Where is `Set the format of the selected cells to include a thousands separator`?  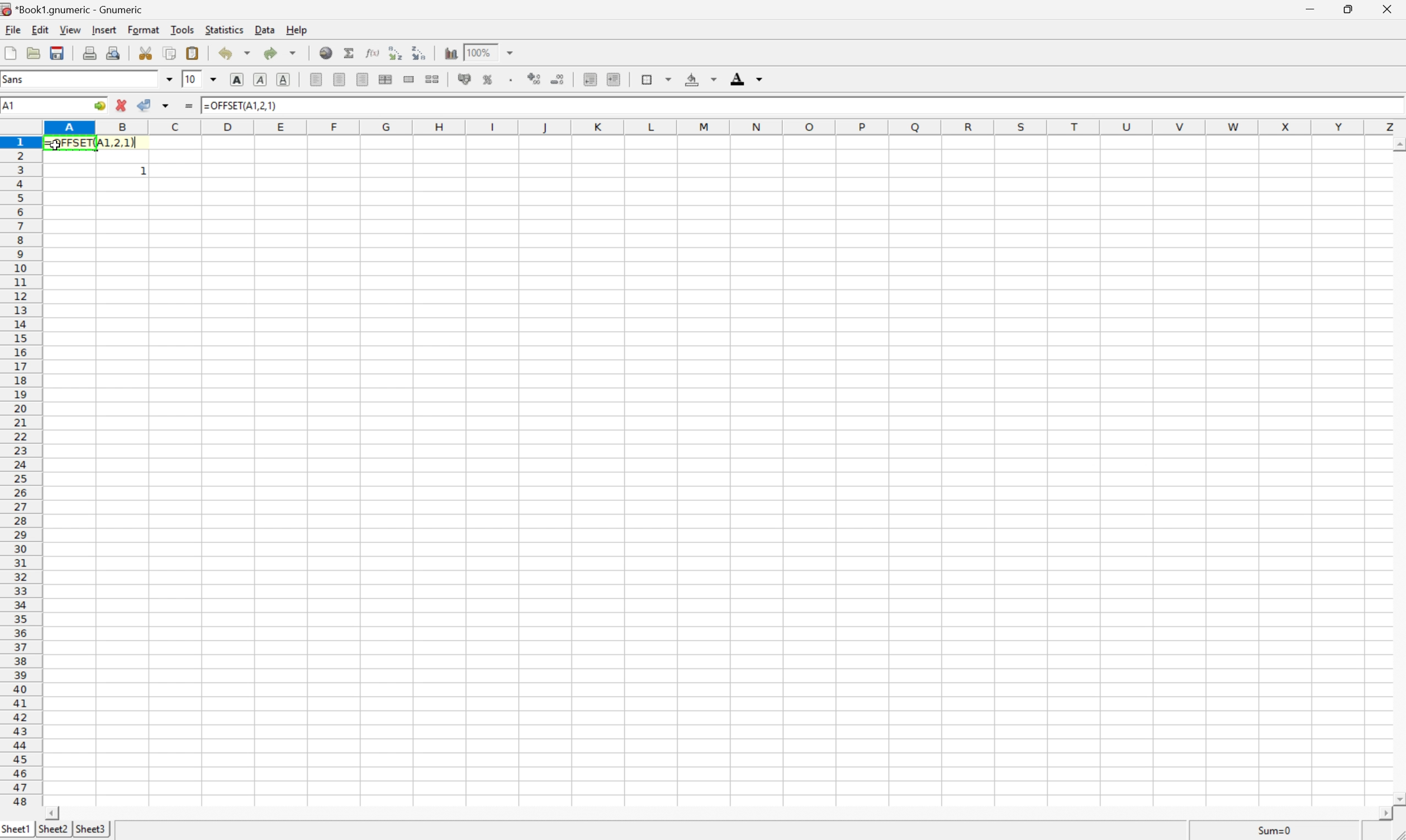 Set the format of the selected cells to include a thousands separator is located at coordinates (511, 82).